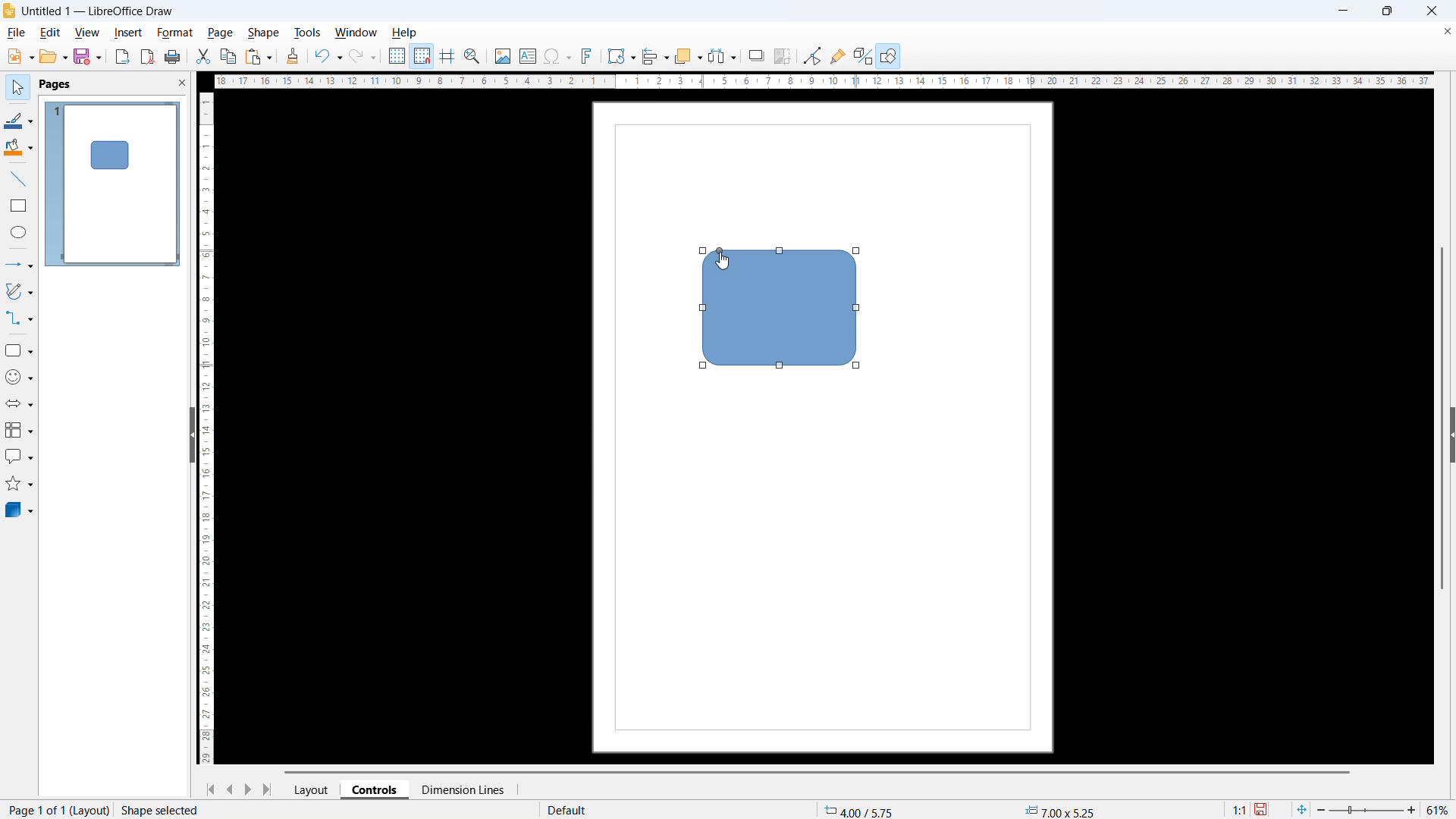 This screenshot has height=819, width=1456. Describe the element at coordinates (56, 810) in the screenshot. I see `Page number ` at that location.